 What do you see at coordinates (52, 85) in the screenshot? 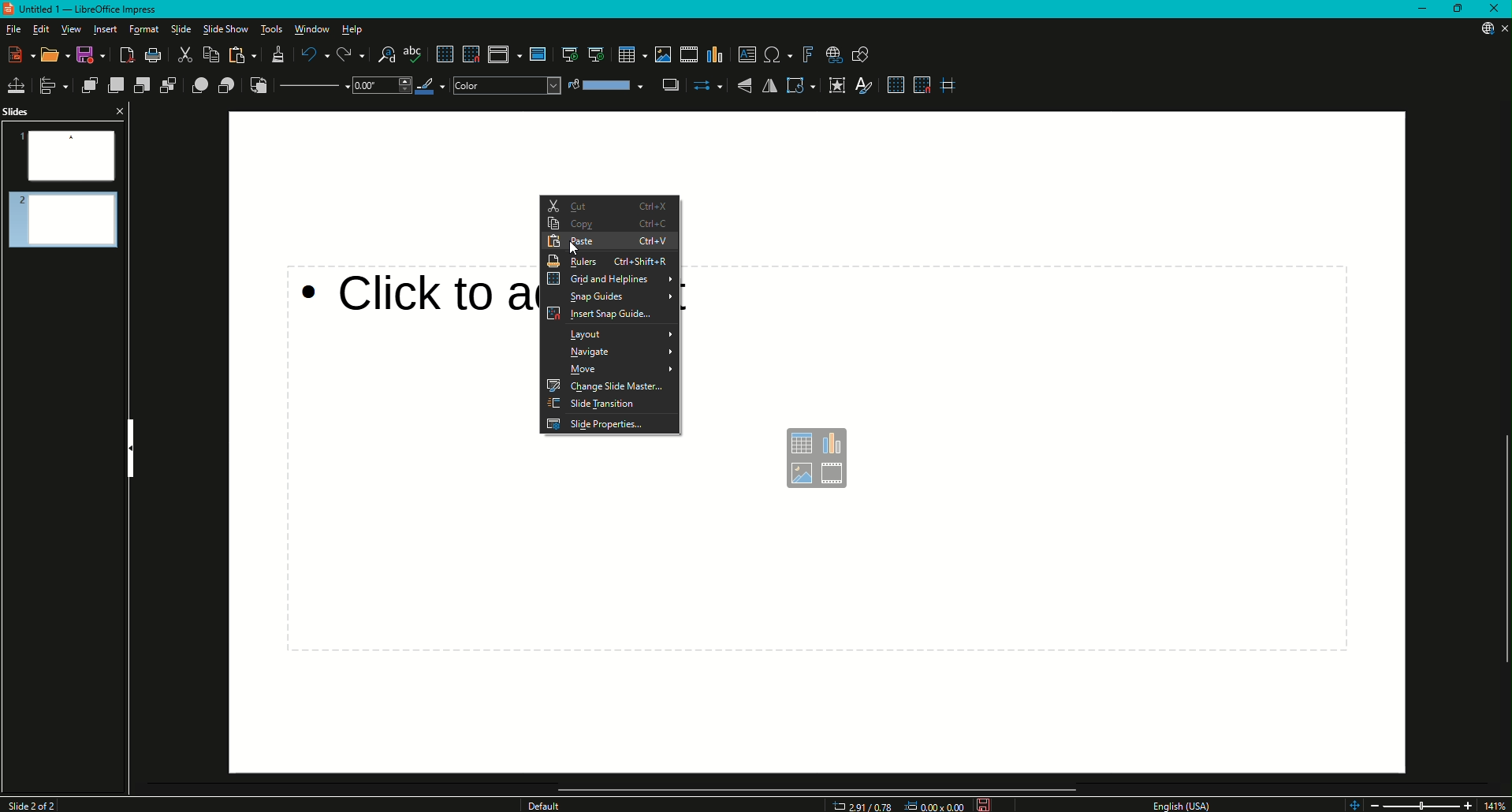
I see `Align Objects` at bounding box center [52, 85].